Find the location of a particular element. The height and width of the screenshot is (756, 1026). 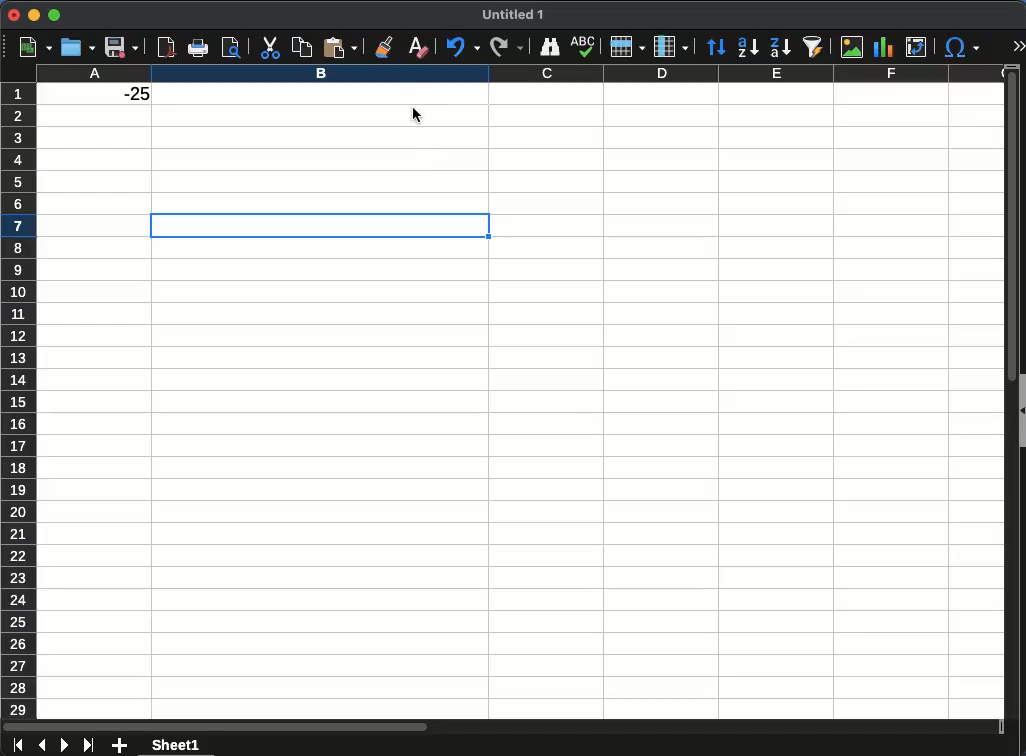

row is located at coordinates (626, 46).